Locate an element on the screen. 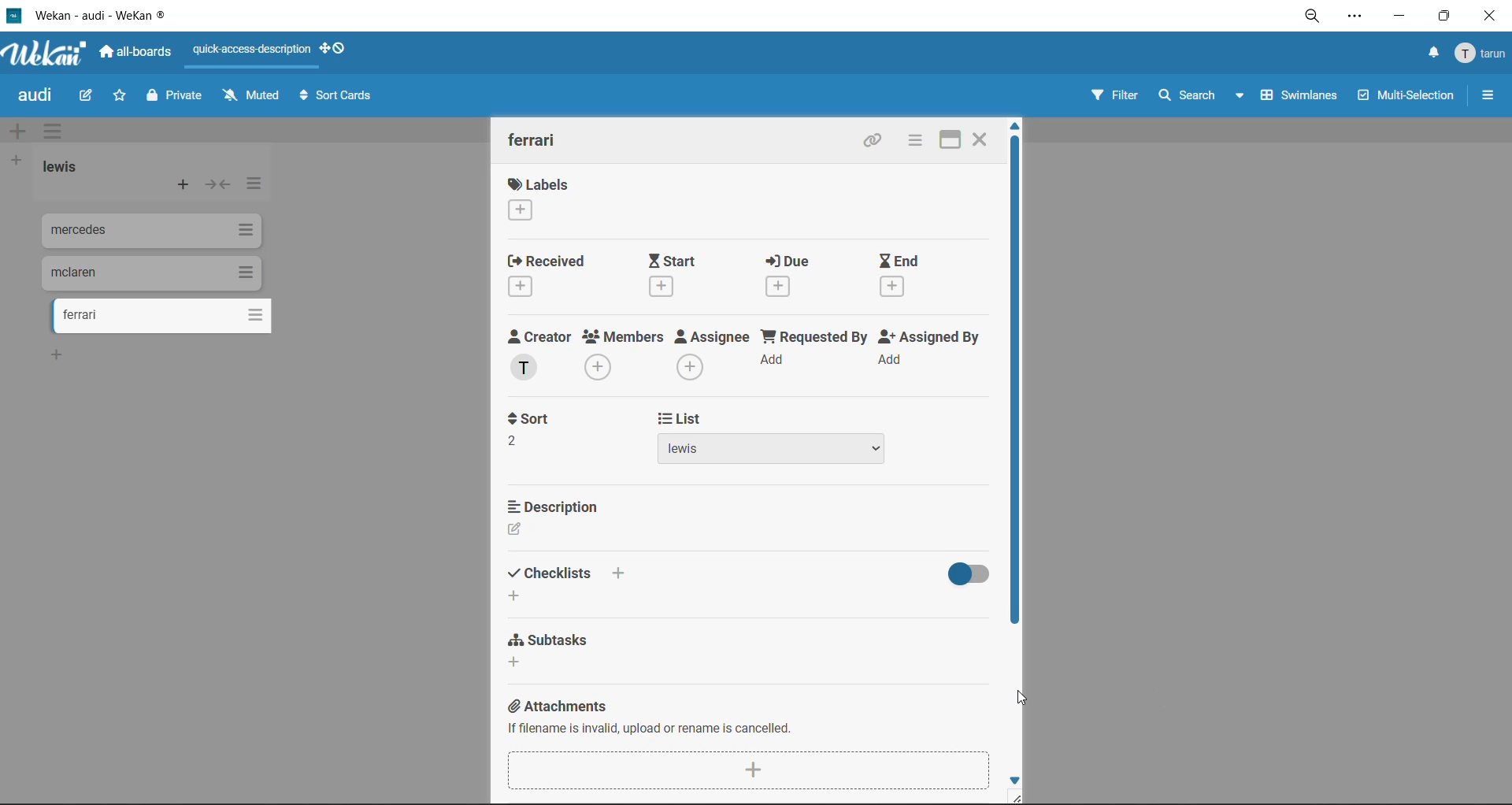 The height and width of the screenshot is (805, 1512). members is located at coordinates (622, 354).